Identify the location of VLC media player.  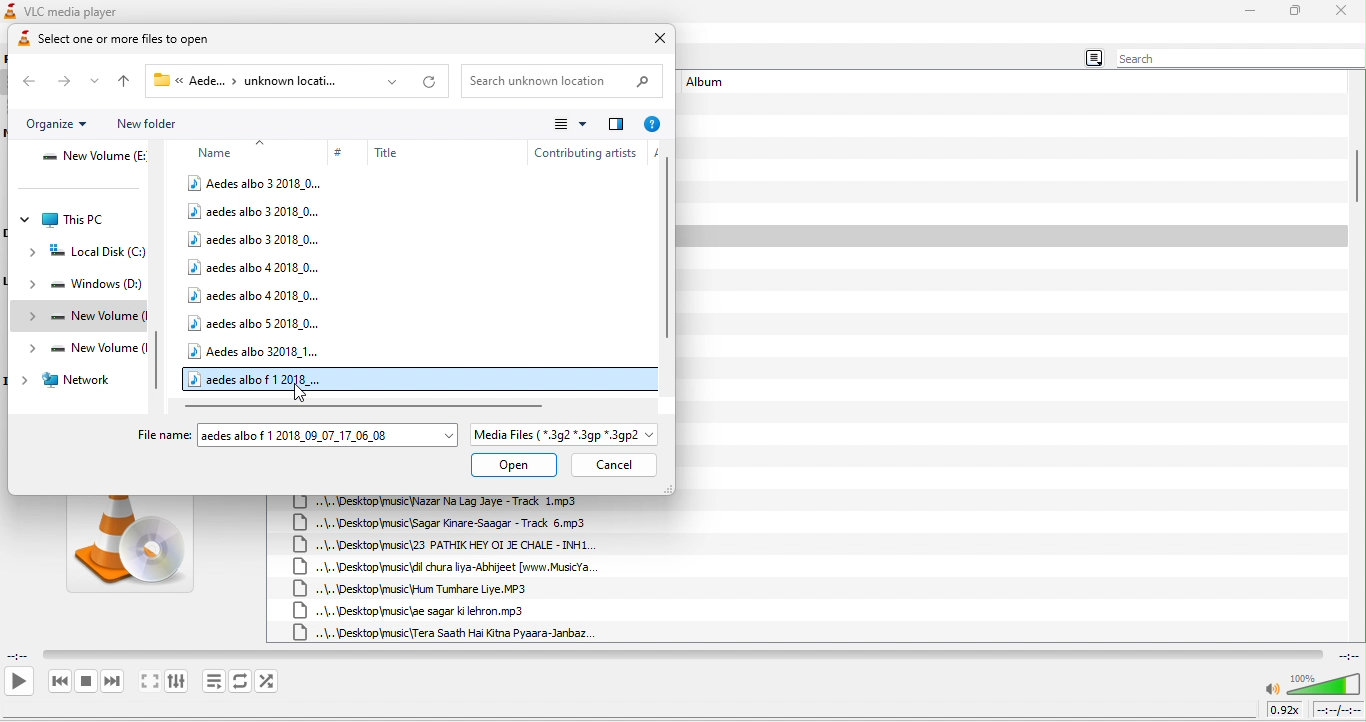
(84, 10).